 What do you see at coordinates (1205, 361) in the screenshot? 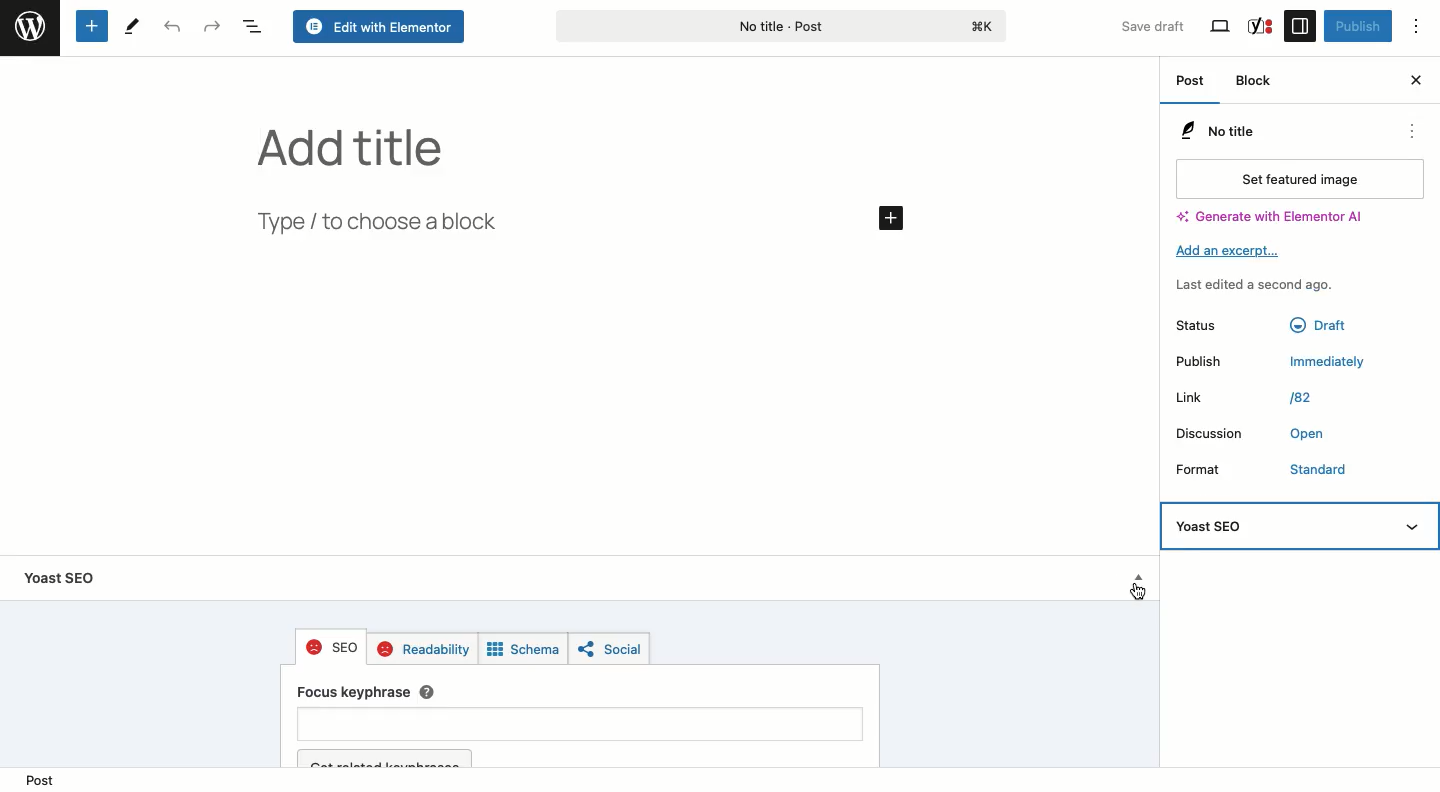
I see `Publish` at bounding box center [1205, 361].